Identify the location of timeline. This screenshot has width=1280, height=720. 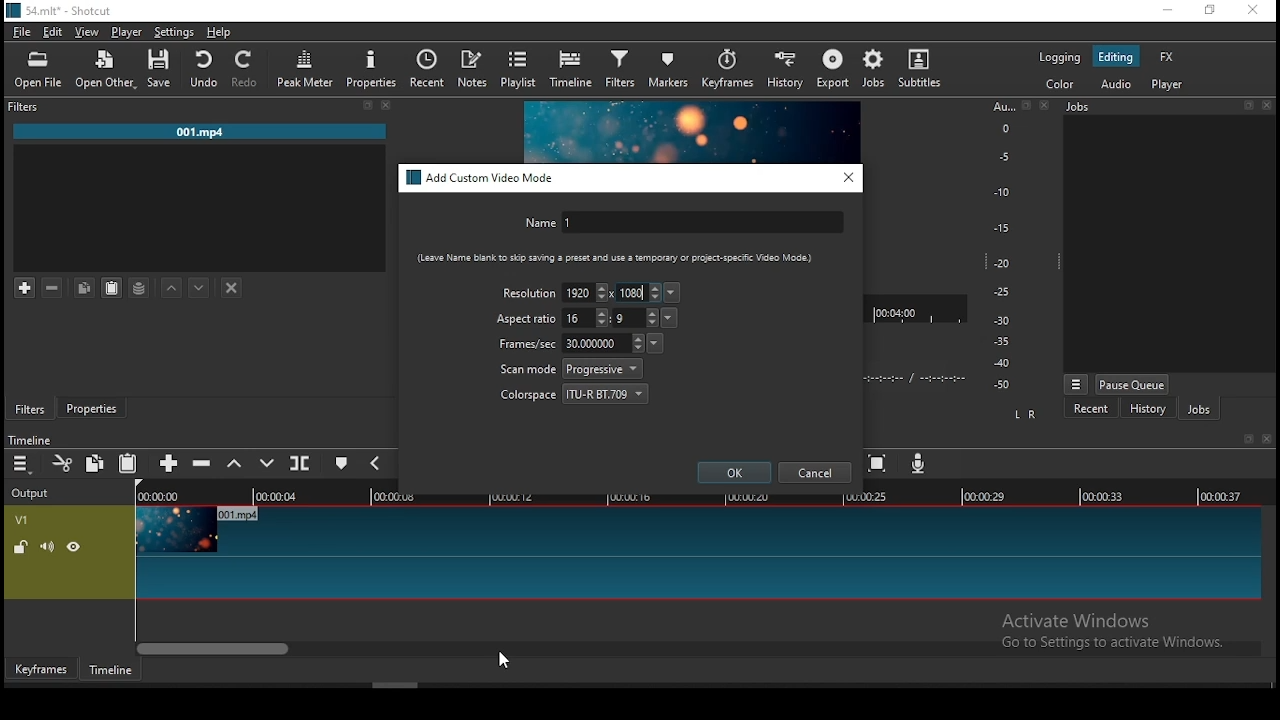
(111, 670).